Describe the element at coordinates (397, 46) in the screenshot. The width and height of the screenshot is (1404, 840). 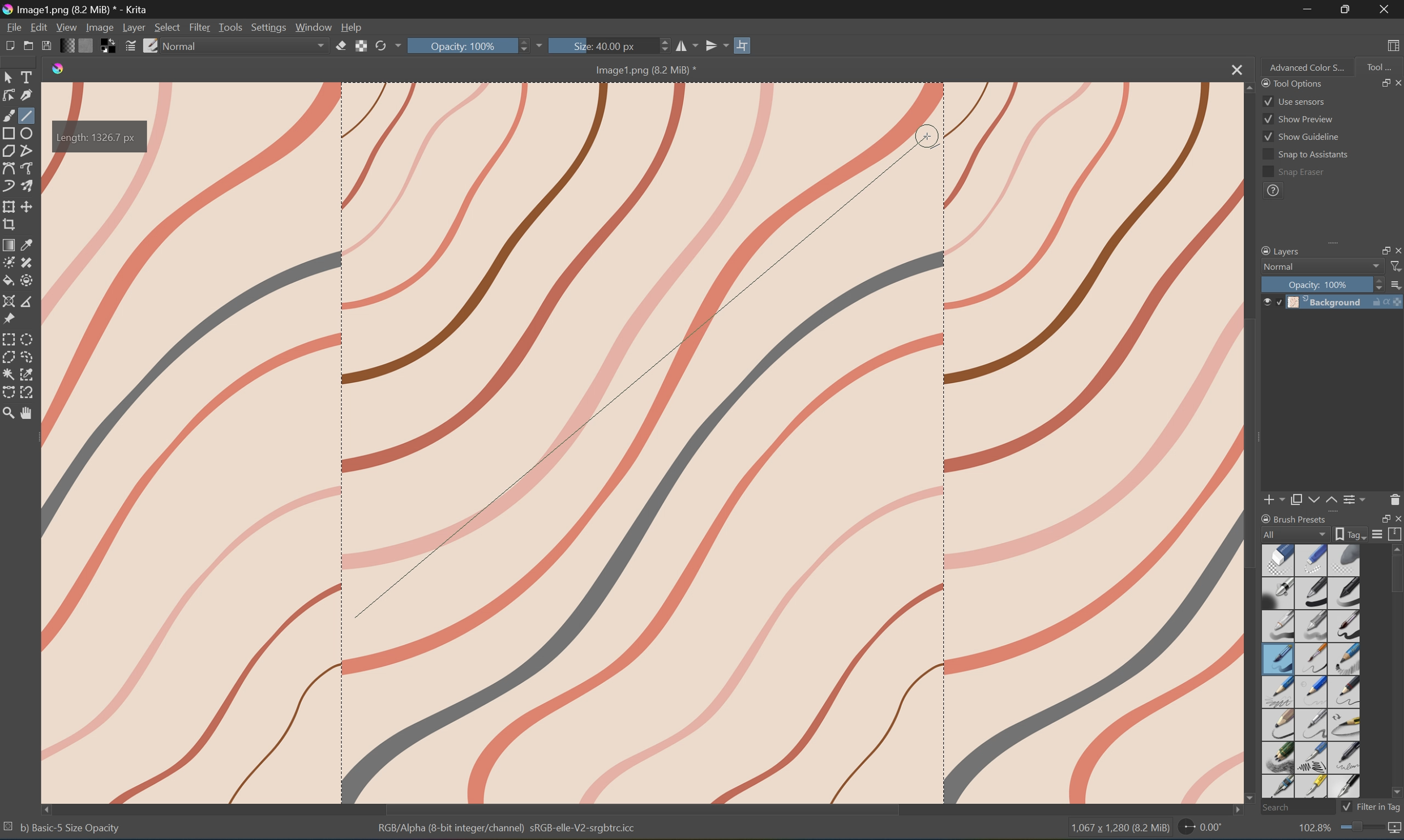
I see `Drop Down` at that location.